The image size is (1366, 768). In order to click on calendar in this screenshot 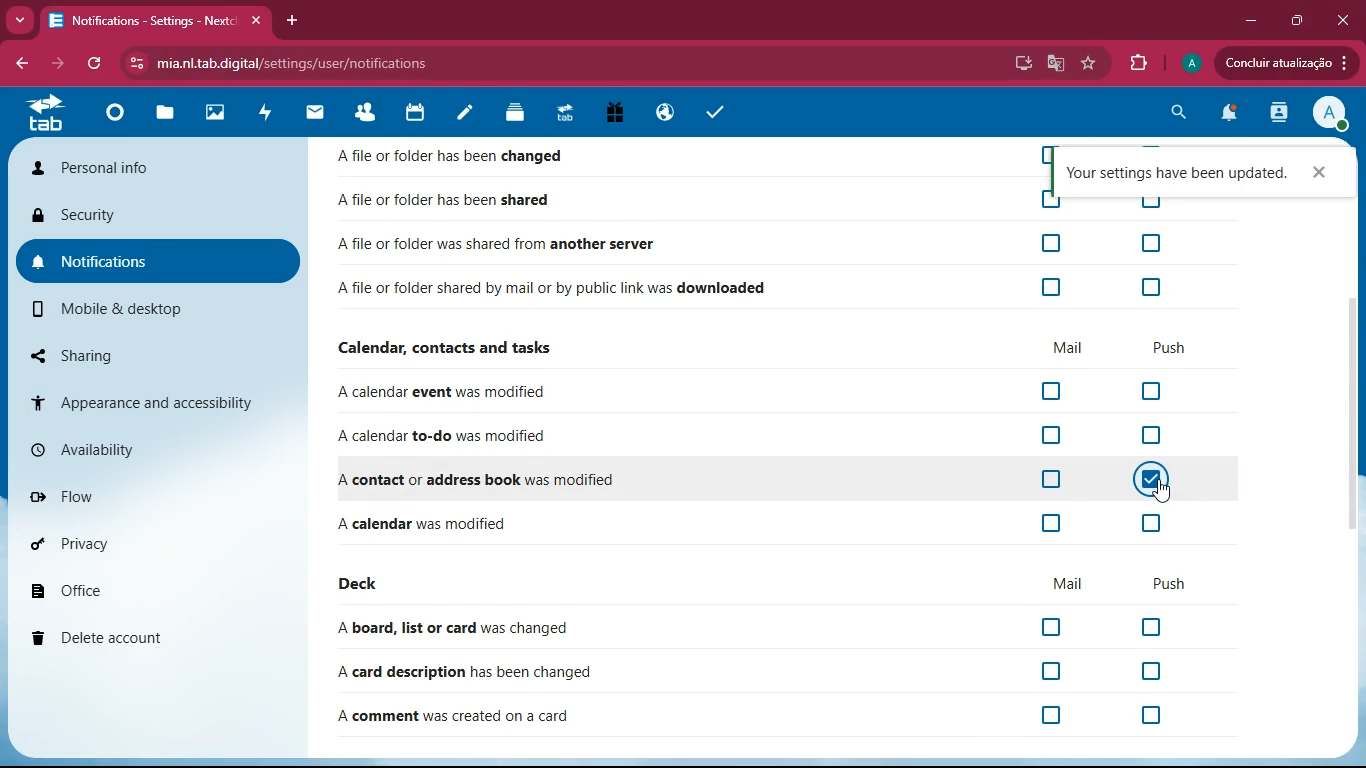, I will do `click(421, 113)`.